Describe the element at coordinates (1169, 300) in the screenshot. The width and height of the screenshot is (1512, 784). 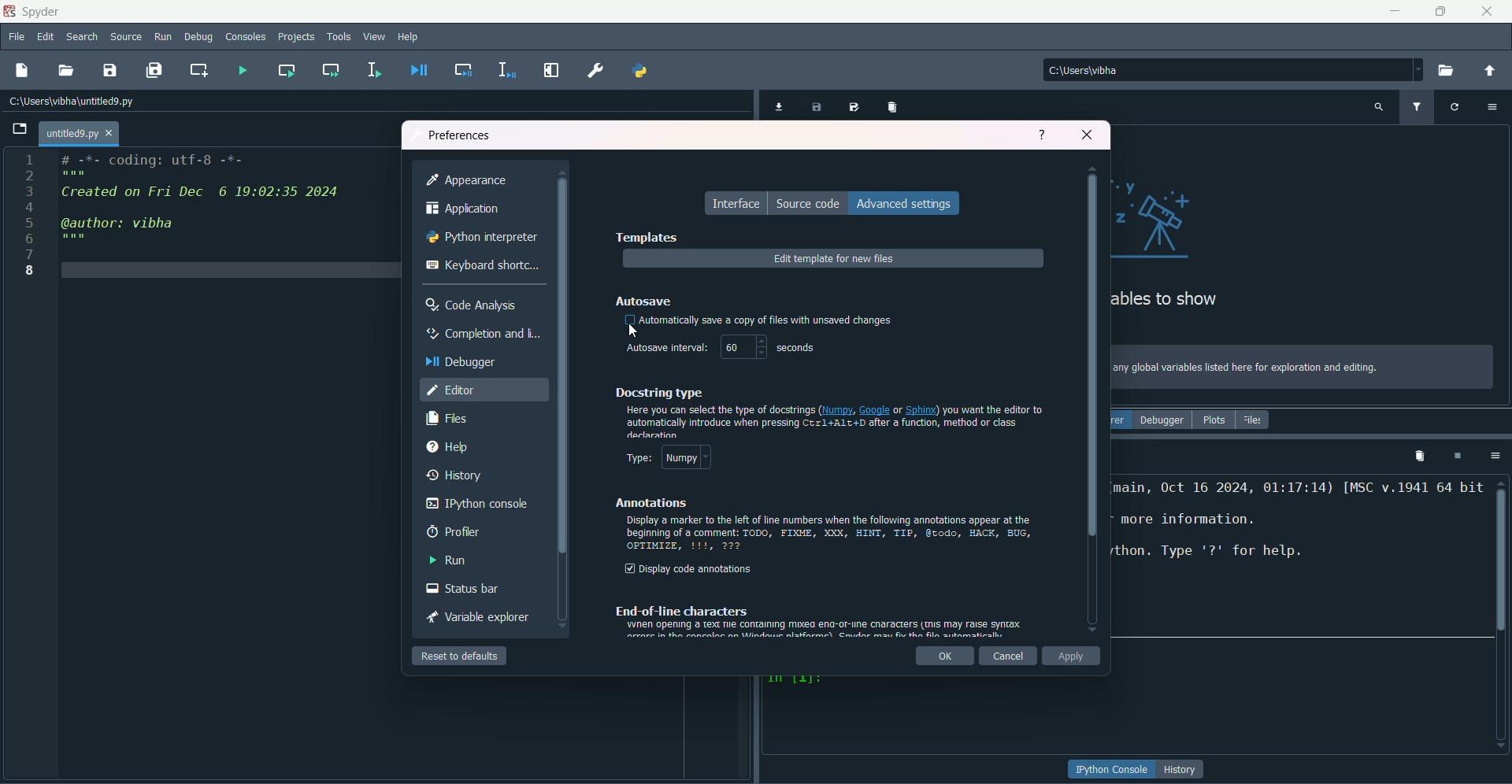
I see `text` at that location.